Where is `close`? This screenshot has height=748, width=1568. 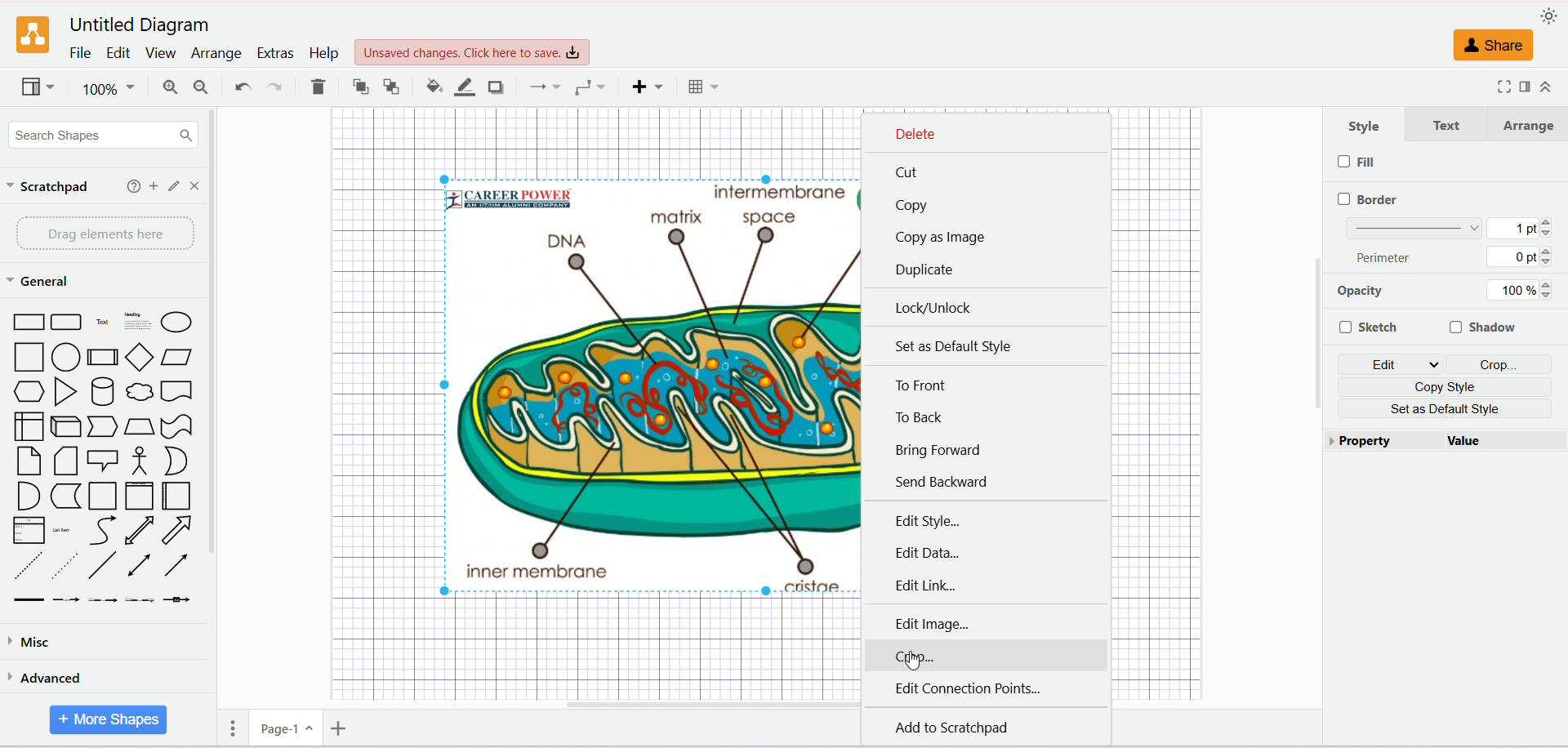
close is located at coordinates (198, 186).